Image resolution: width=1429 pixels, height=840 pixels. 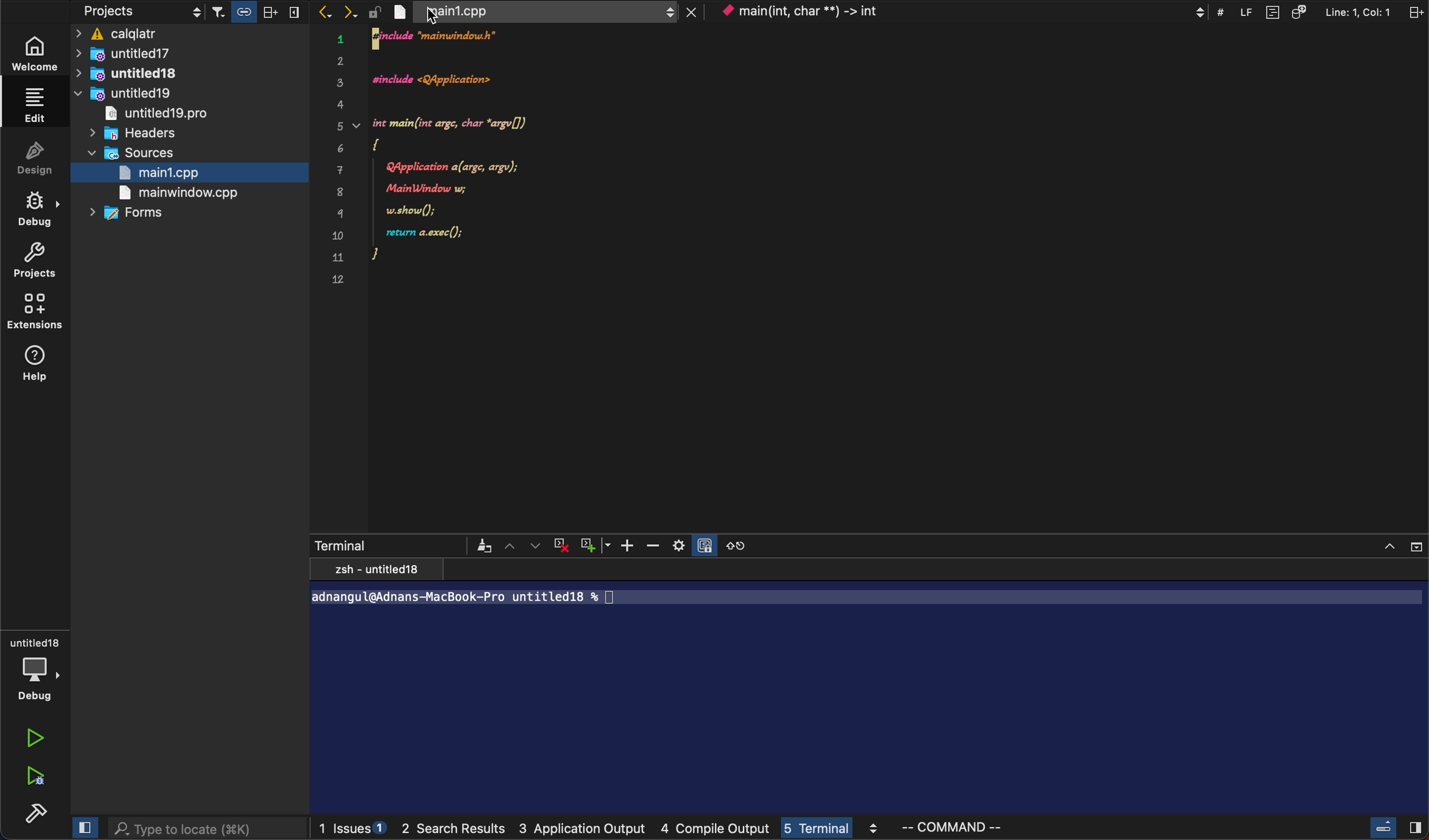 I want to click on untitled19, so click(x=126, y=94).